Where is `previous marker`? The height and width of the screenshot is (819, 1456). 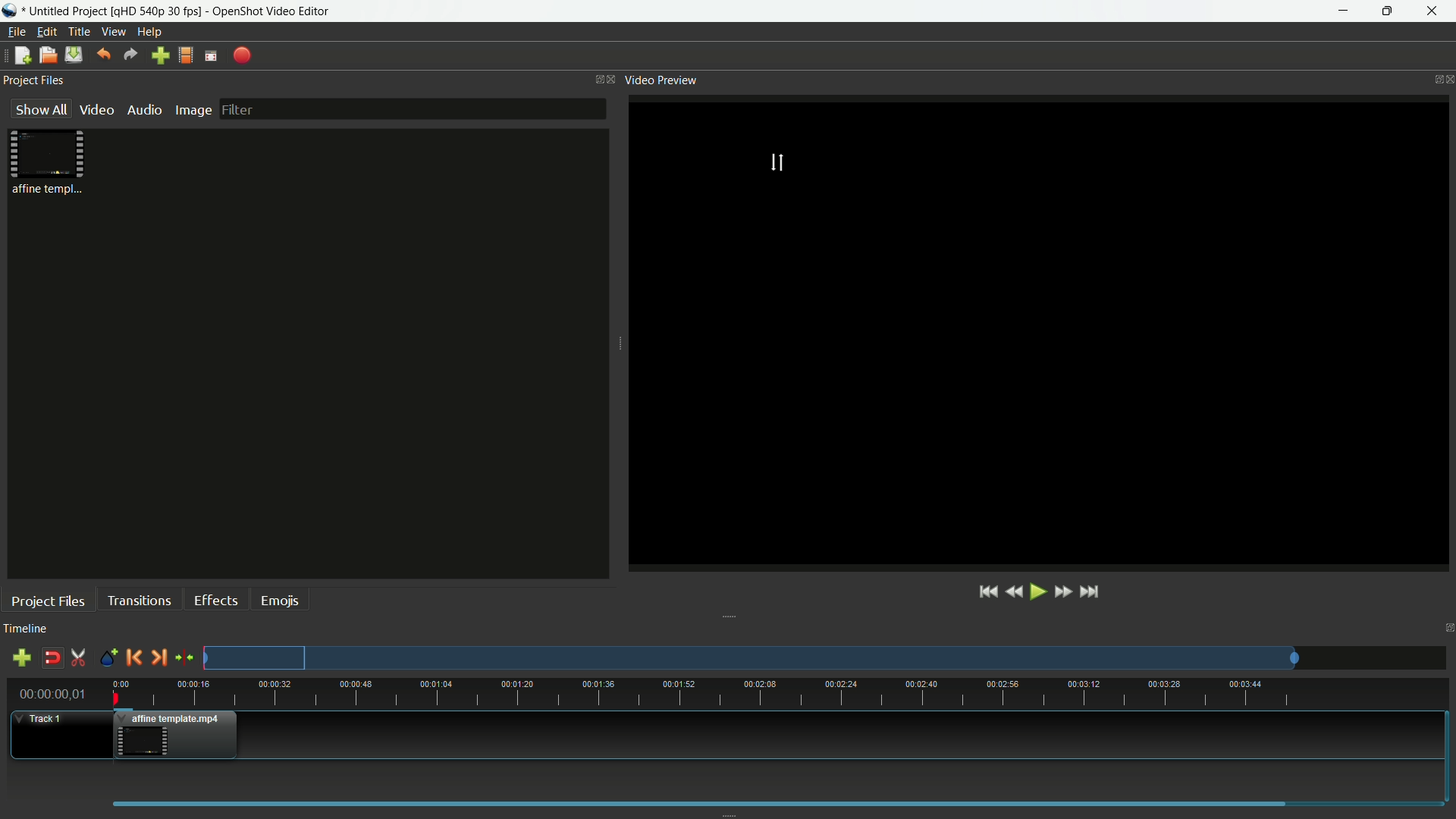
previous marker is located at coordinates (133, 657).